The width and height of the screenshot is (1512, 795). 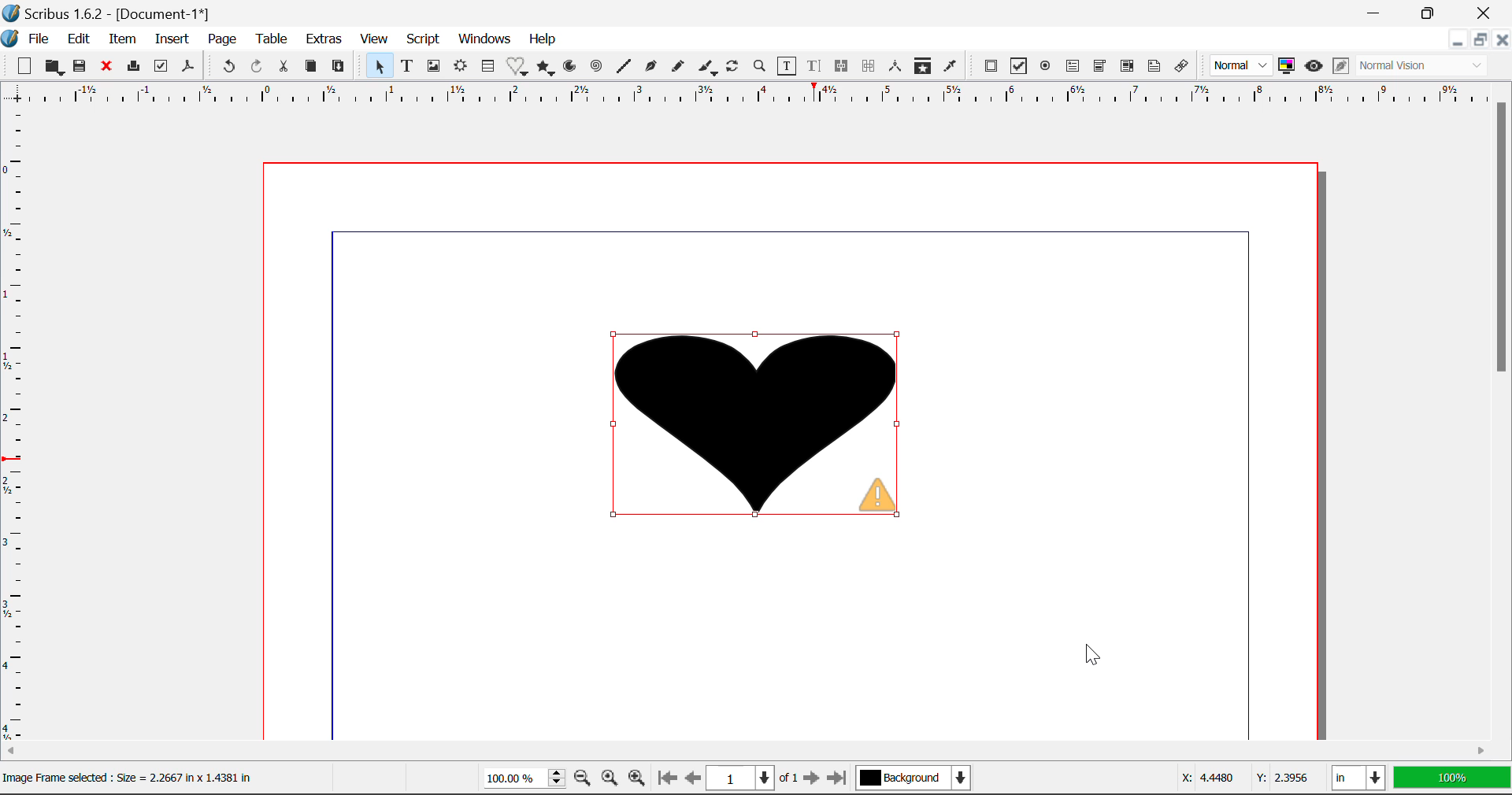 I want to click on Pdf Radio Button, so click(x=1047, y=68).